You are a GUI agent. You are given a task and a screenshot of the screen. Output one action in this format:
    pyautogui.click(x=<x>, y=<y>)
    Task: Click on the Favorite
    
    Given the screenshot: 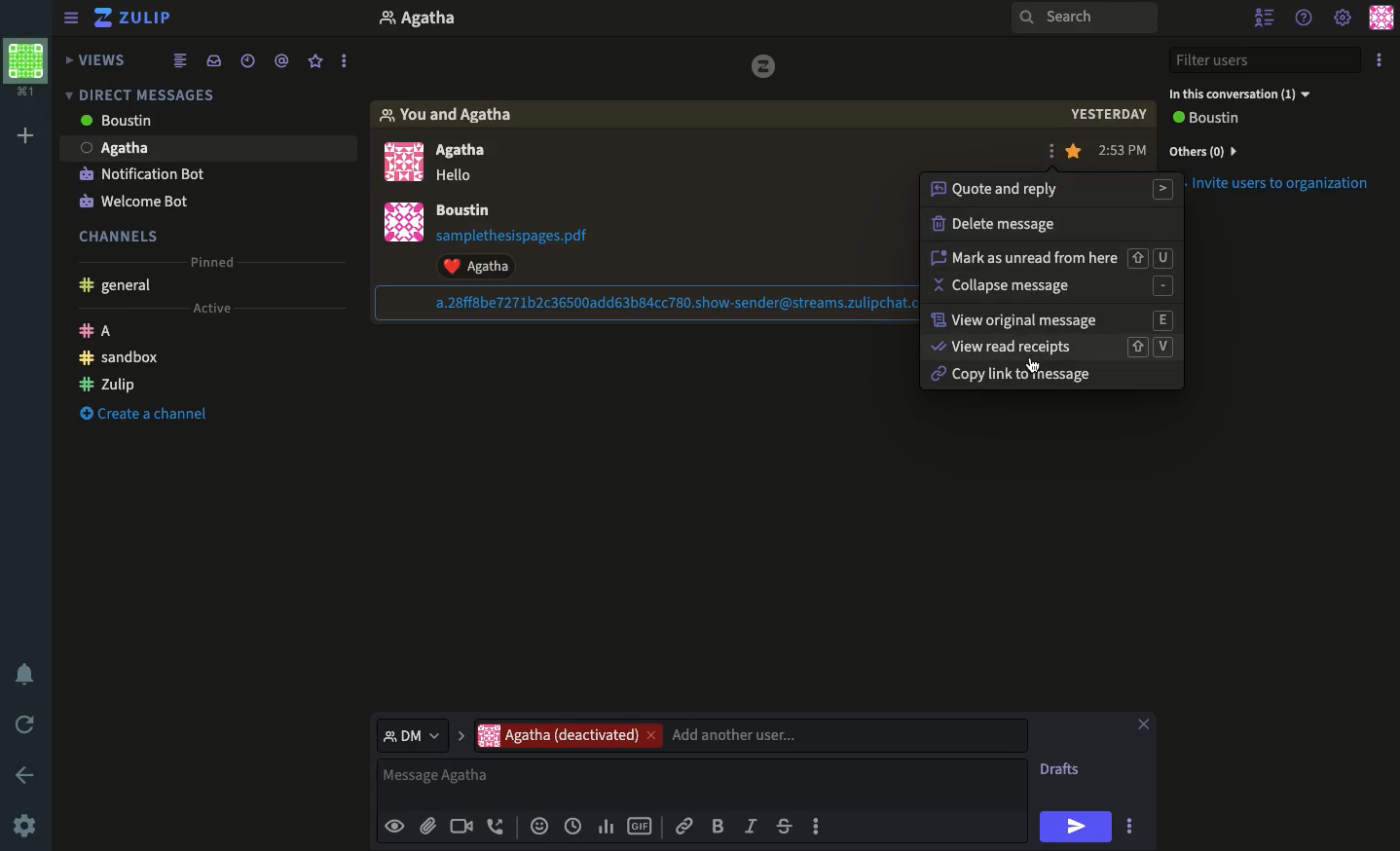 What is the action you would take?
    pyautogui.click(x=316, y=62)
    